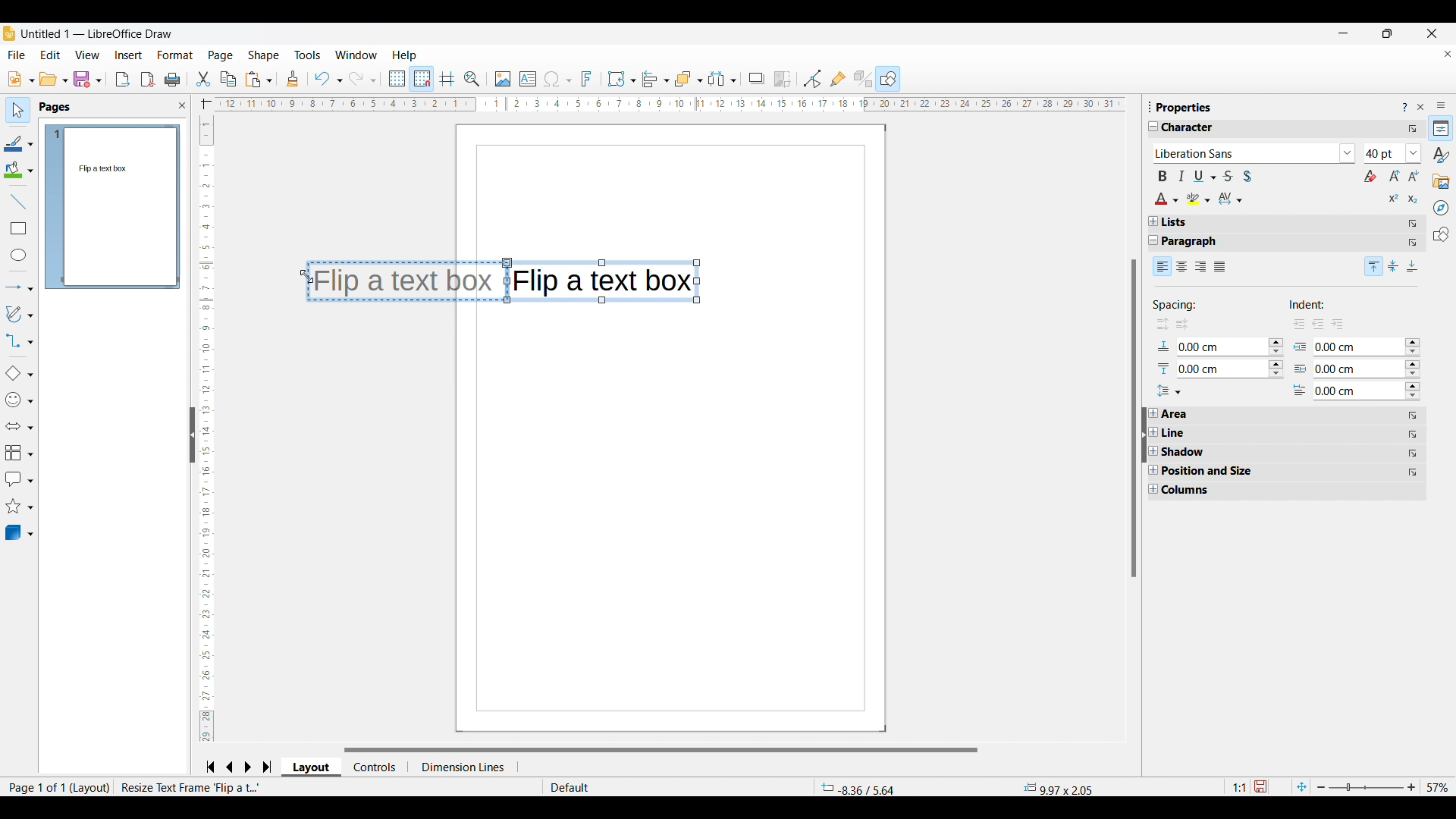 This screenshot has height=819, width=1456. What do you see at coordinates (1202, 433) in the screenshot?
I see `Line property` at bounding box center [1202, 433].